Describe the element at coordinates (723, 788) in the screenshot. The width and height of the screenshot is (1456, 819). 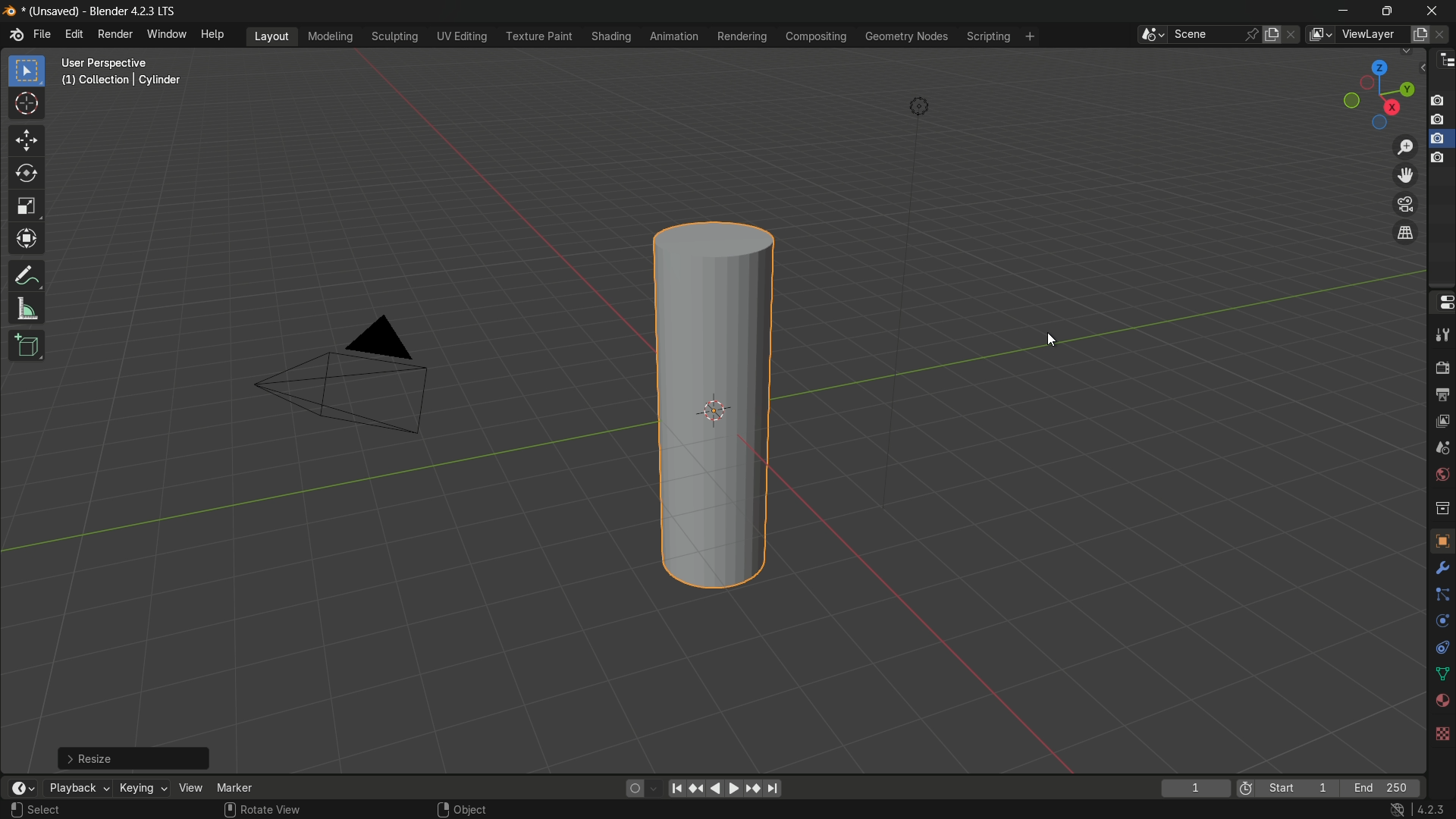
I see `play animation` at that location.